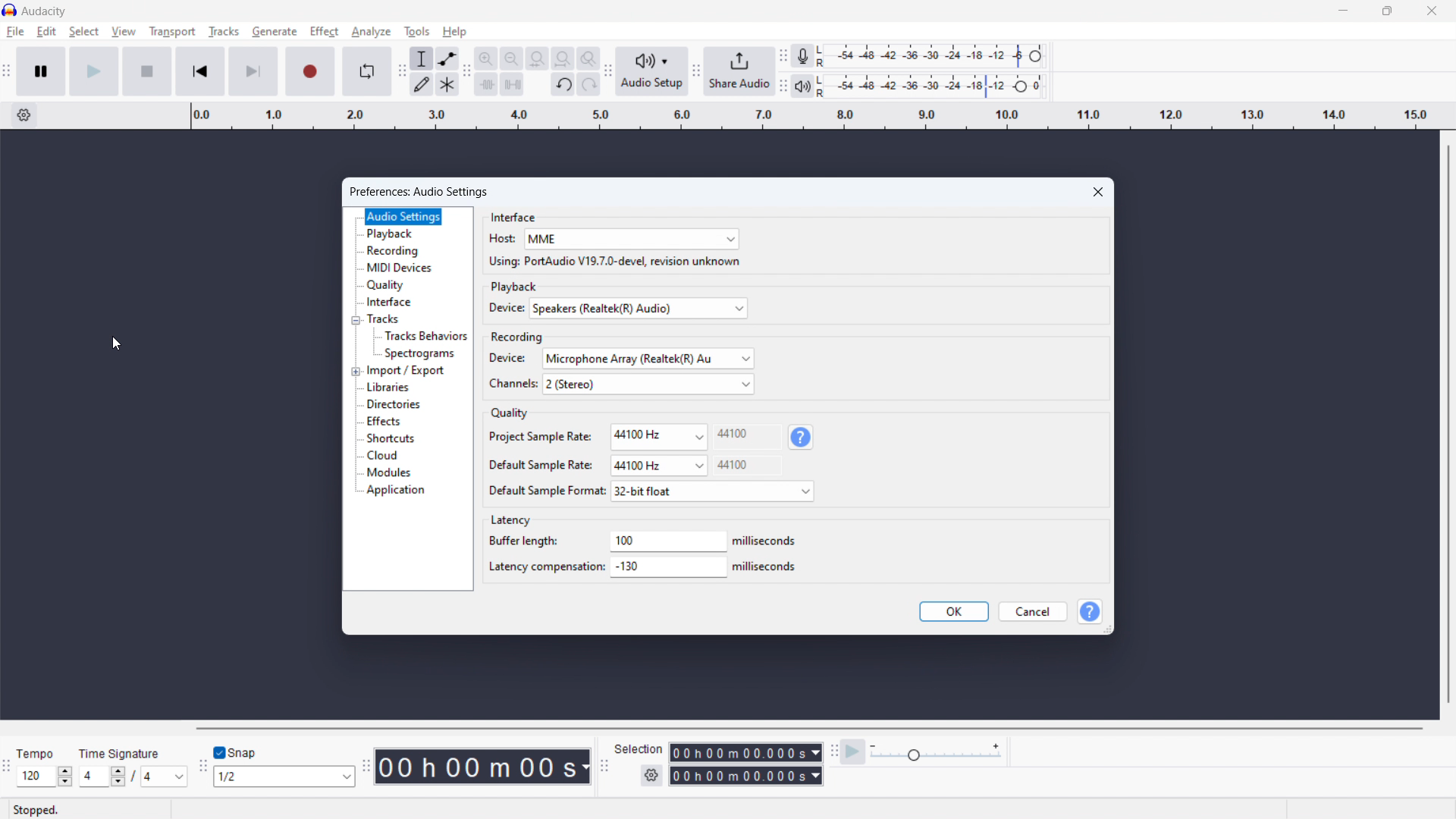  What do you see at coordinates (124, 31) in the screenshot?
I see `view` at bounding box center [124, 31].